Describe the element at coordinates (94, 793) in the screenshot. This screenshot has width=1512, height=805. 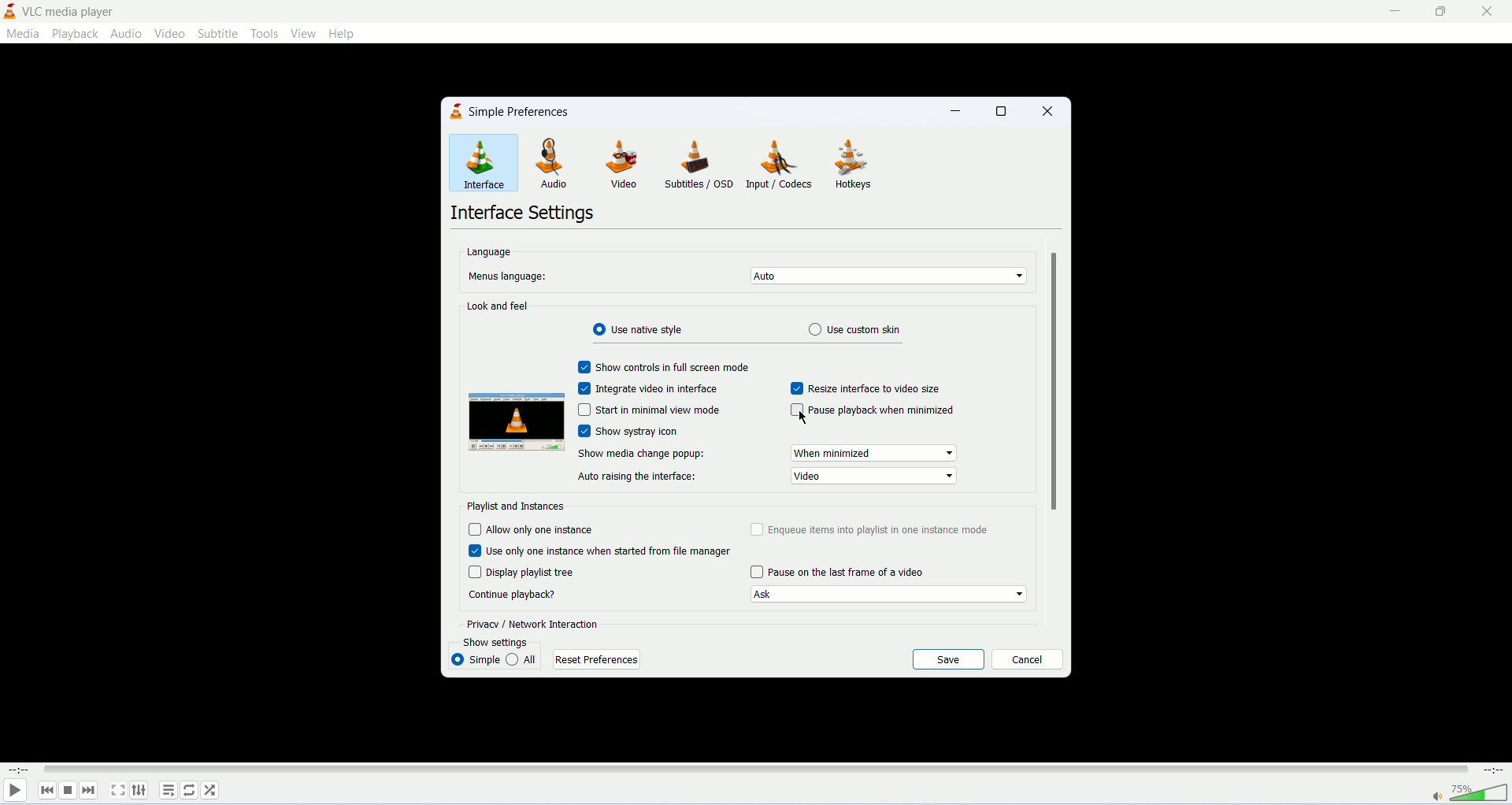
I see `next` at that location.